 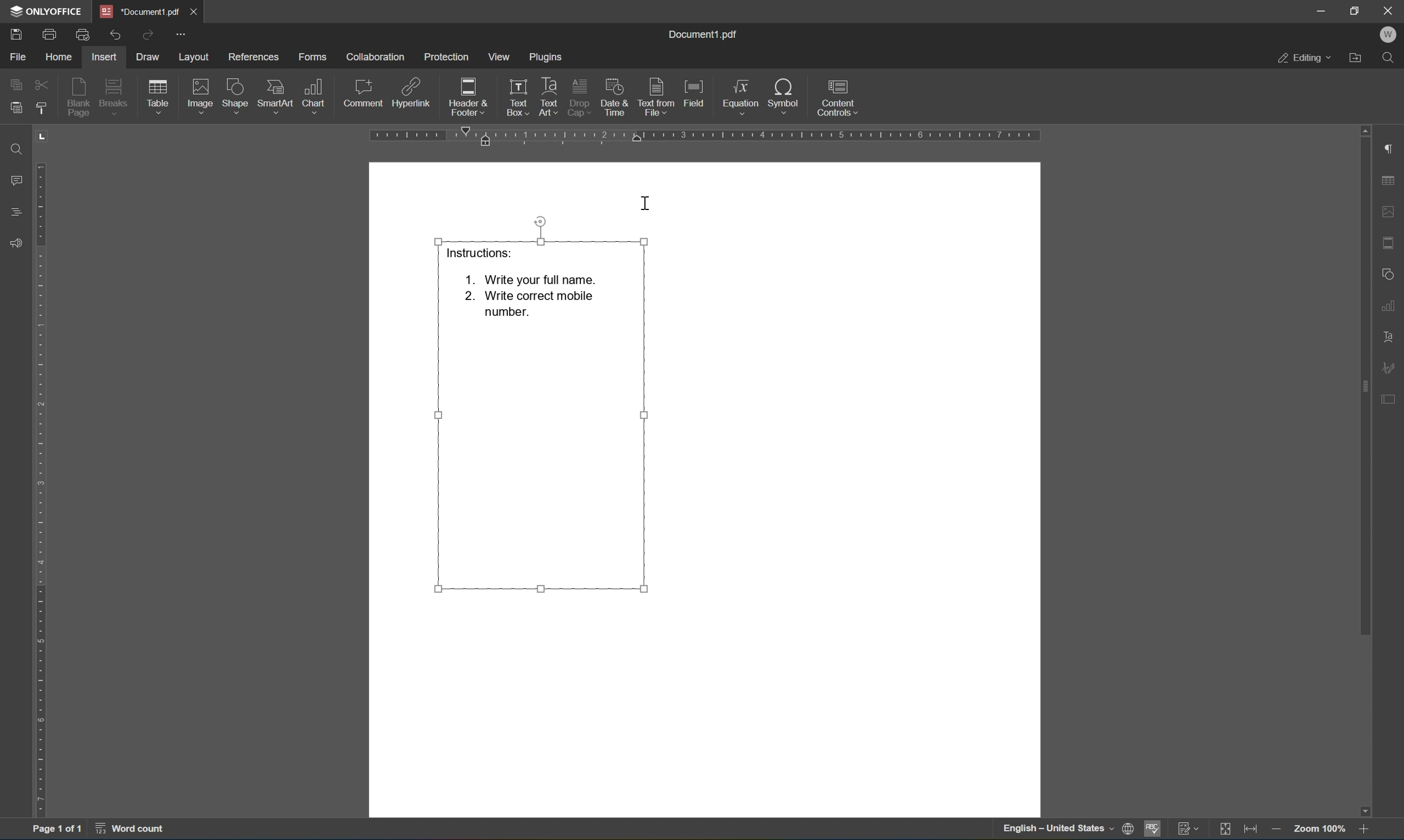 What do you see at coordinates (277, 96) in the screenshot?
I see `smart art` at bounding box center [277, 96].